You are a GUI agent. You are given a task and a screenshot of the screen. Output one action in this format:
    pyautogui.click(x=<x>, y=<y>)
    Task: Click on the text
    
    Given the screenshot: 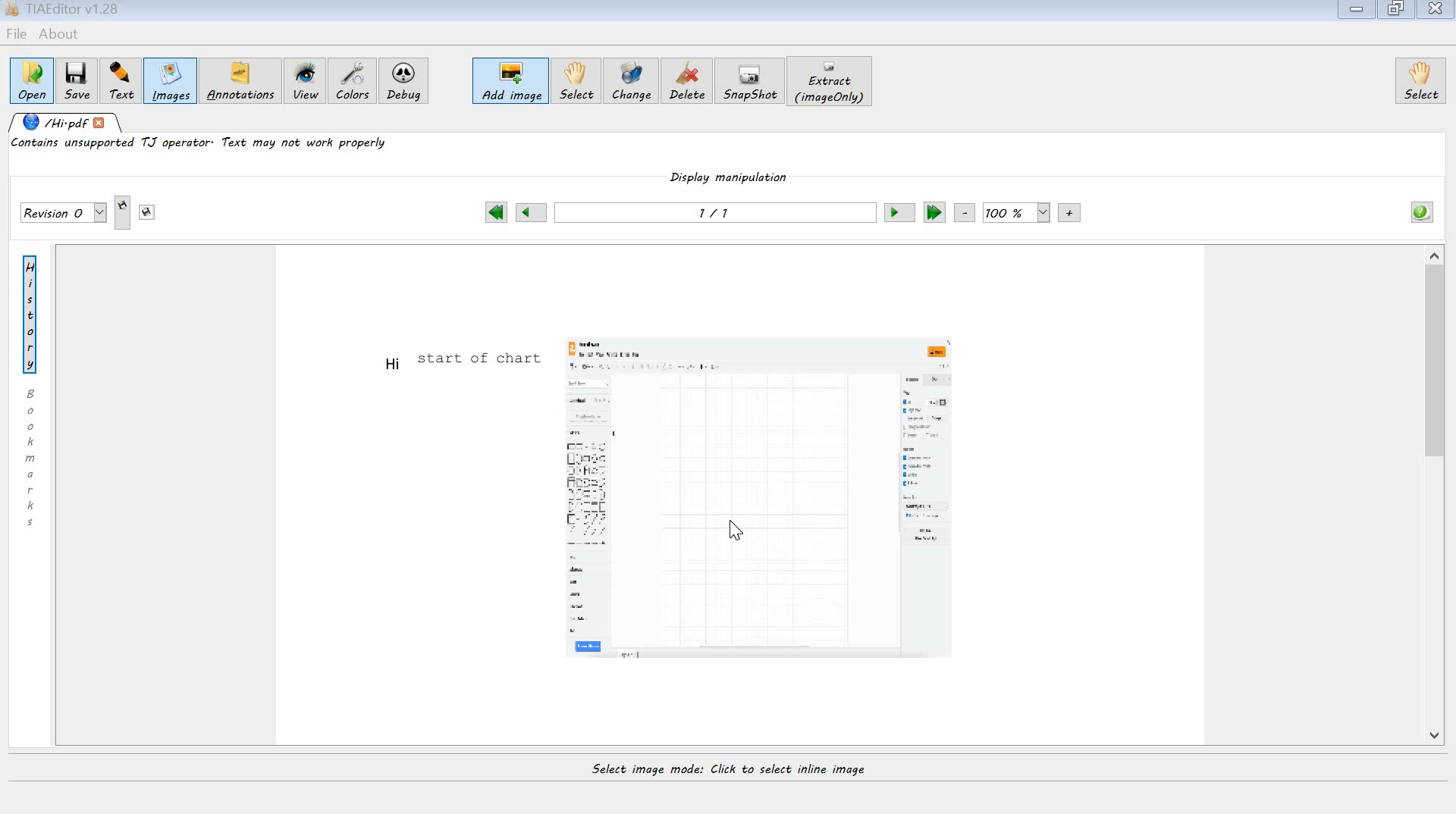 What is the action you would take?
    pyautogui.click(x=118, y=79)
    